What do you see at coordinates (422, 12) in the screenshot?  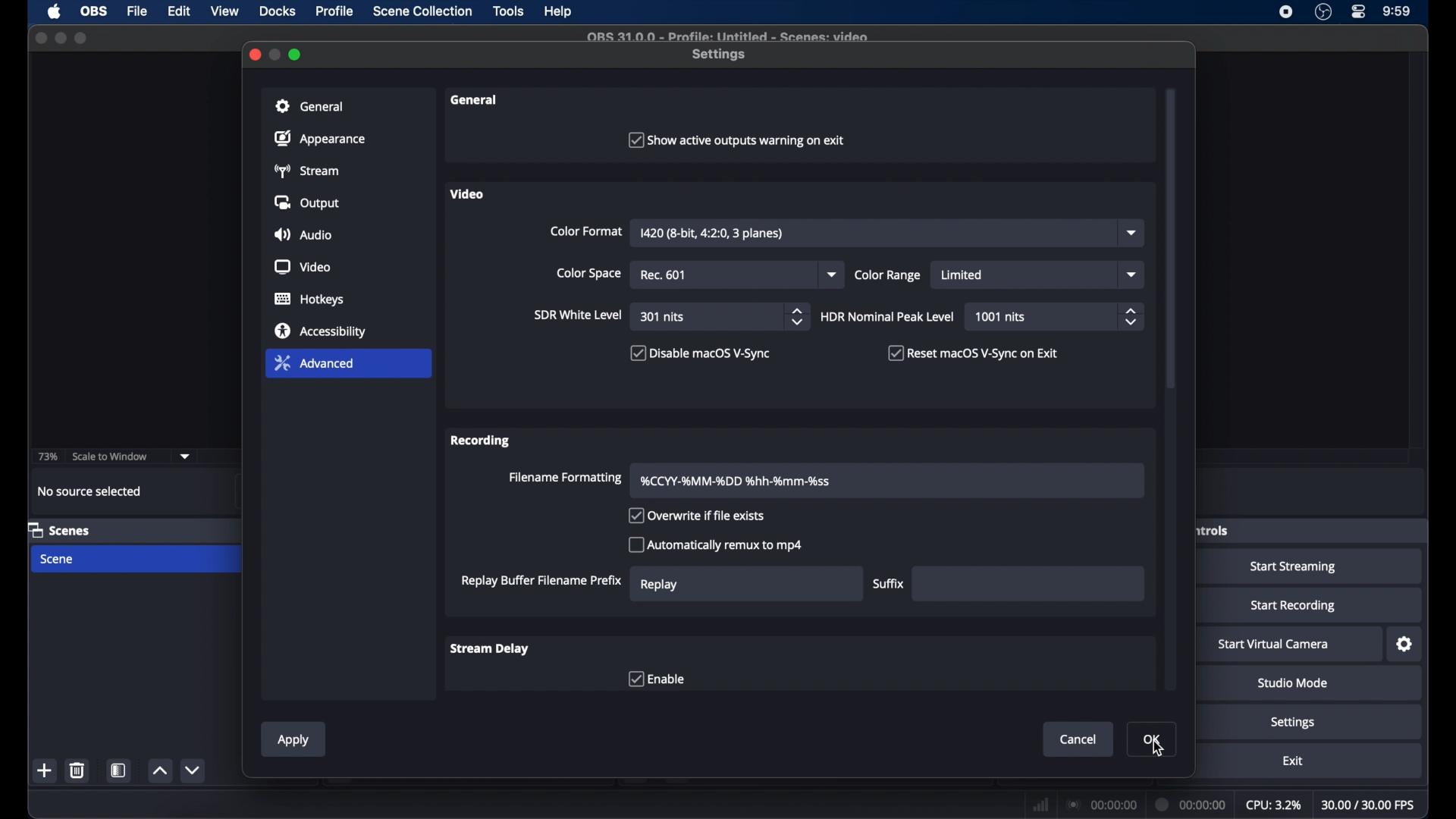 I see `scene collection` at bounding box center [422, 12].